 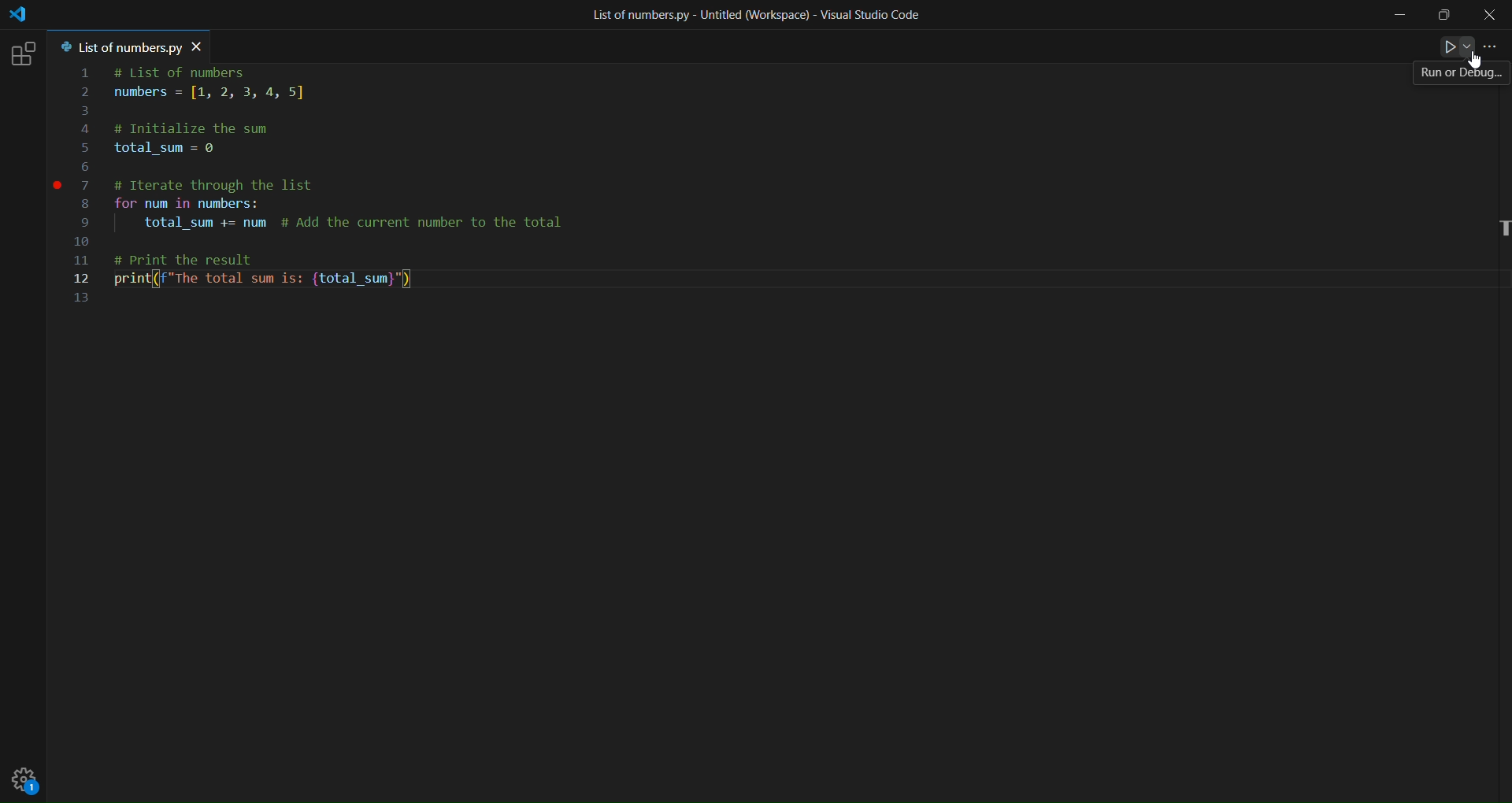 What do you see at coordinates (24, 54) in the screenshot?
I see `extension` at bounding box center [24, 54].